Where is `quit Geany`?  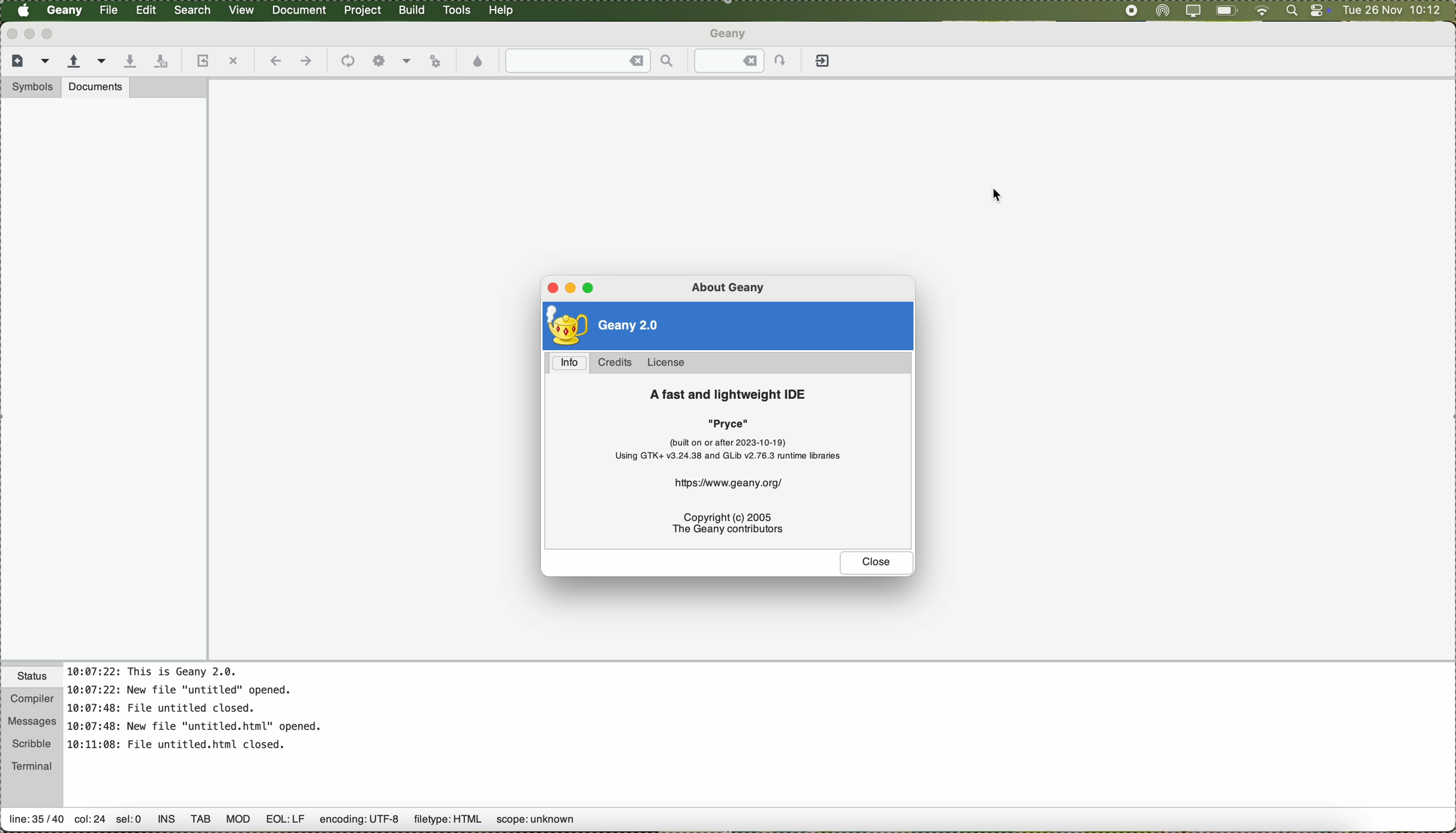 quit Geany is located at coordinates (824, 63).